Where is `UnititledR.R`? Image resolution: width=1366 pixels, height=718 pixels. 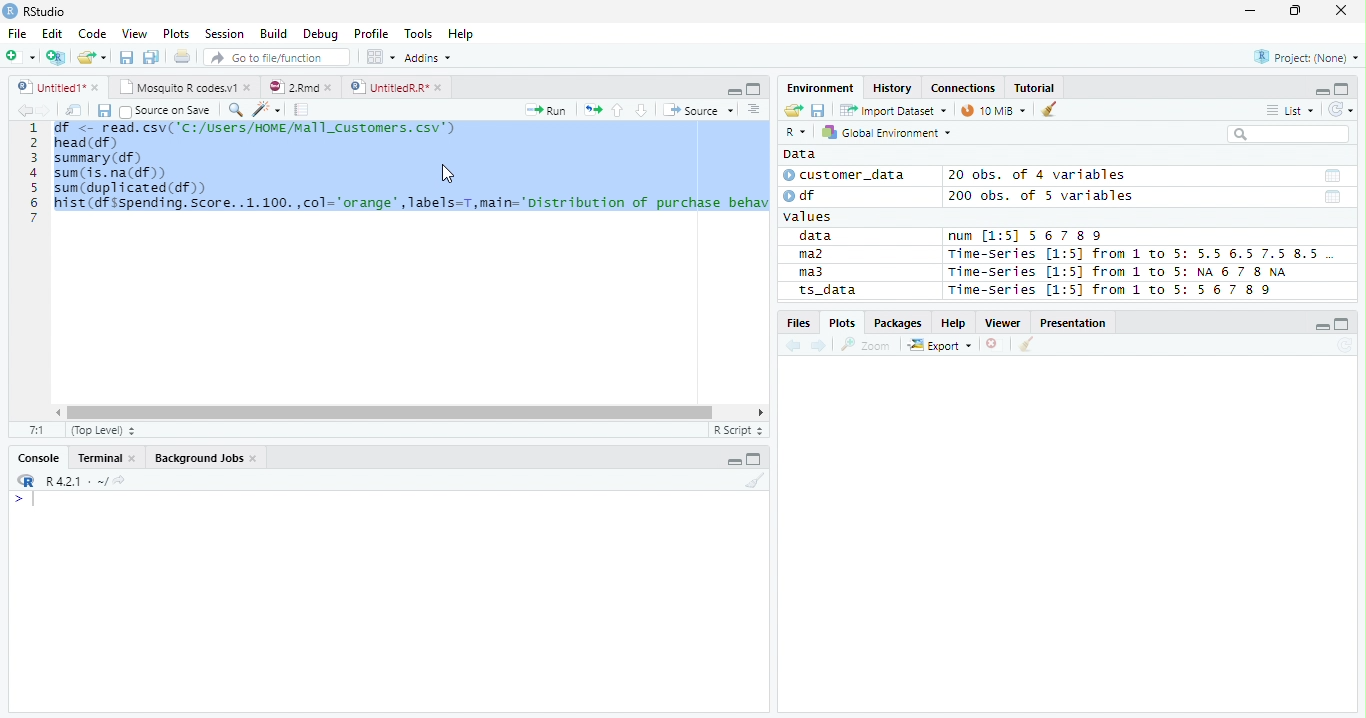
UnititledR.R is located at coordinates (398, 88).